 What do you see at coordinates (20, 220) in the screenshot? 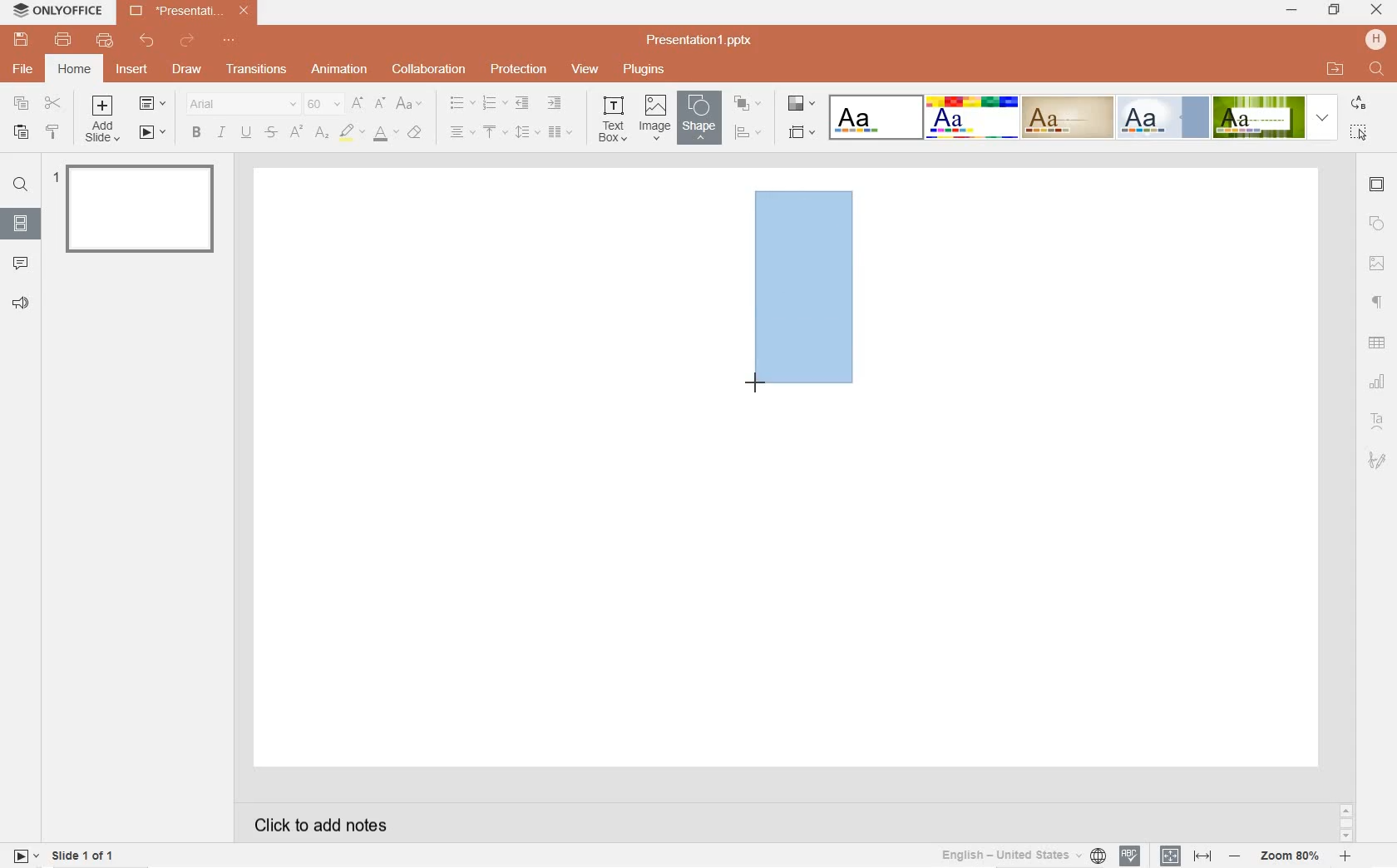
I see `slides` at bounding box center [20, 220].